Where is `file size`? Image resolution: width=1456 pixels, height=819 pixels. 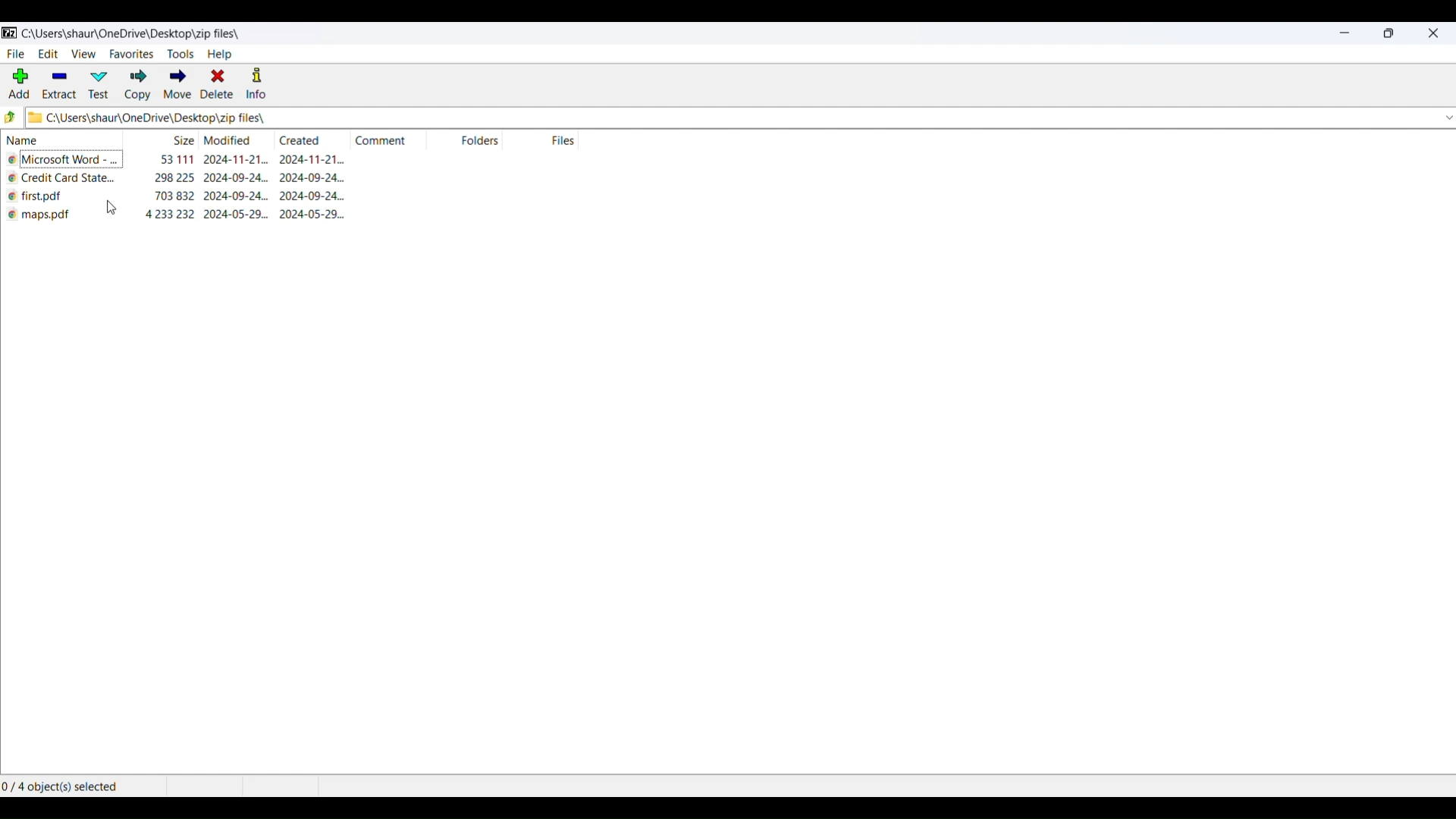 file size is located at coordinates (176, 158).